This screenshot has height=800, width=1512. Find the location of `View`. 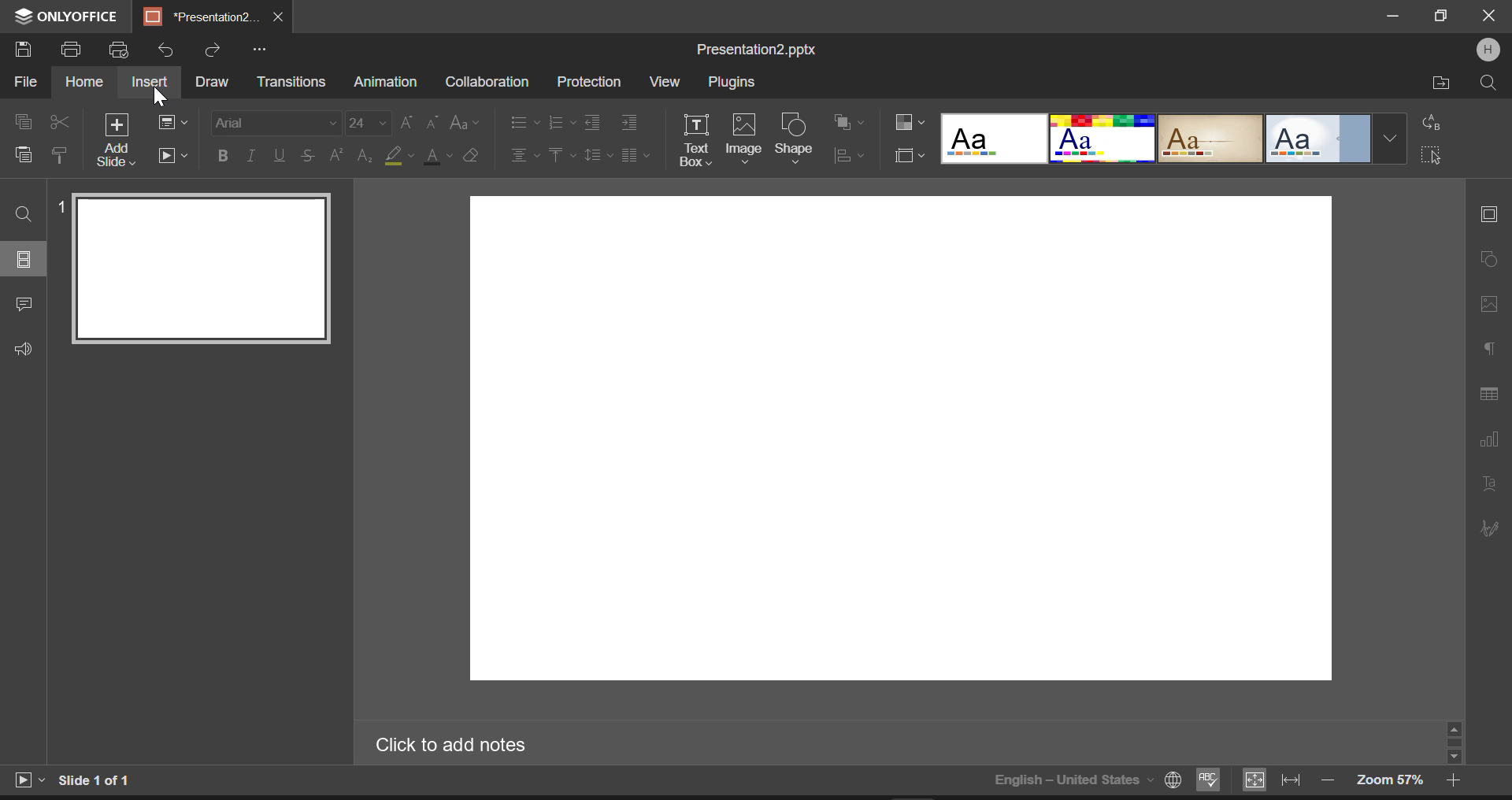

View is located at coordinates (665, 81).